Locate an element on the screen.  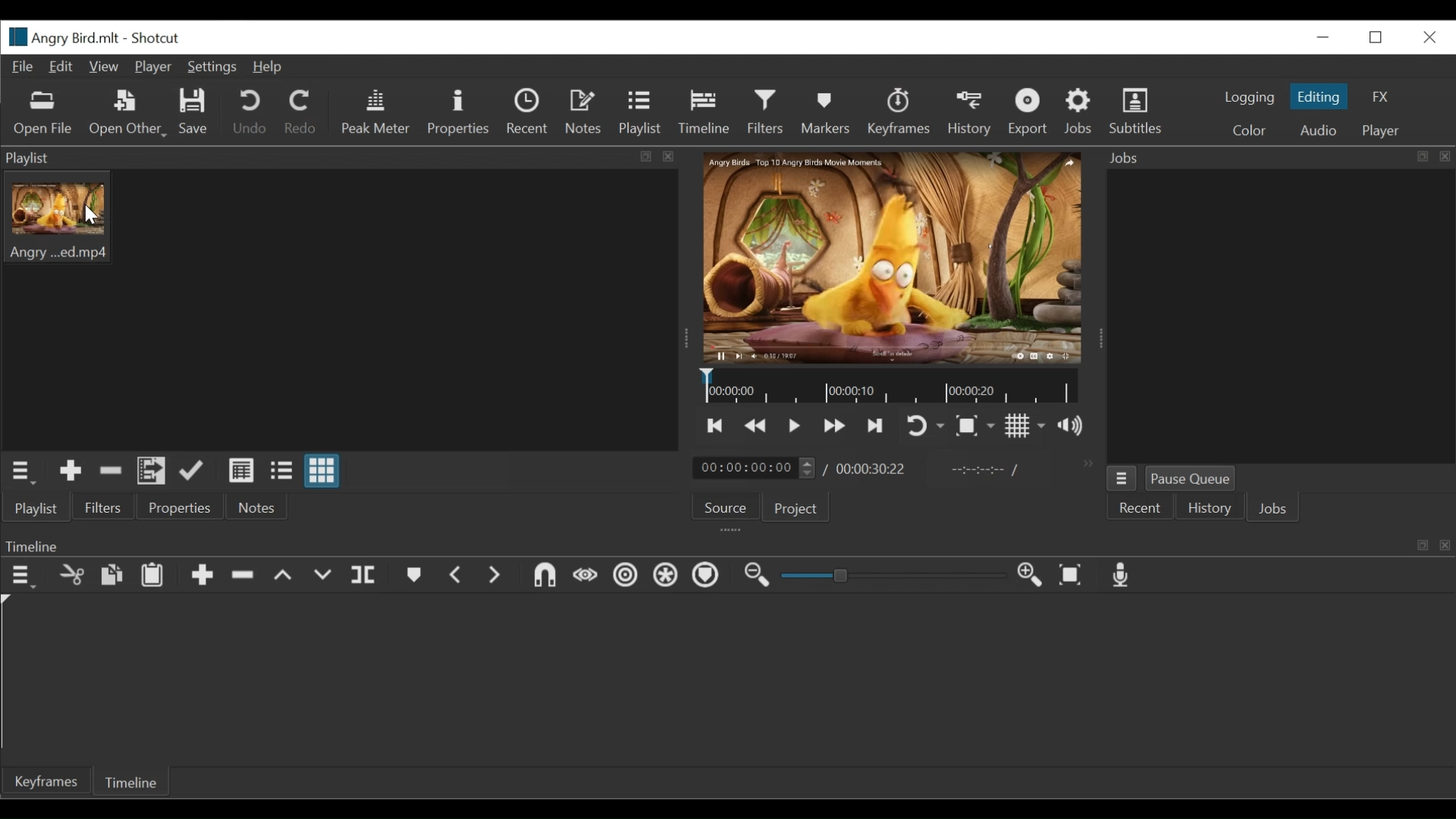
Toggle play or pause (space) is located at coordinates (794, 426).